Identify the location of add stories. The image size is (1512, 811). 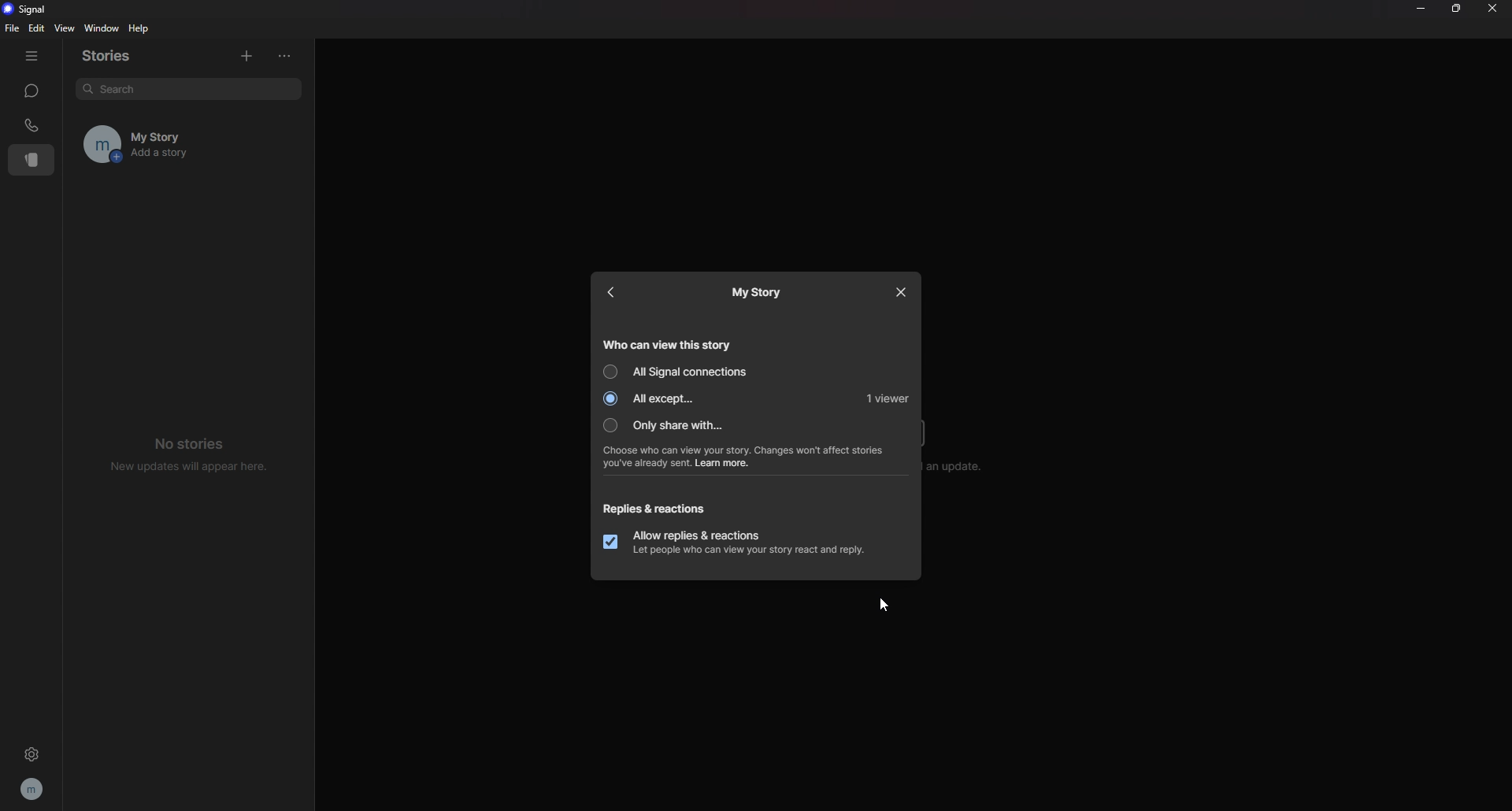
(246, 54).